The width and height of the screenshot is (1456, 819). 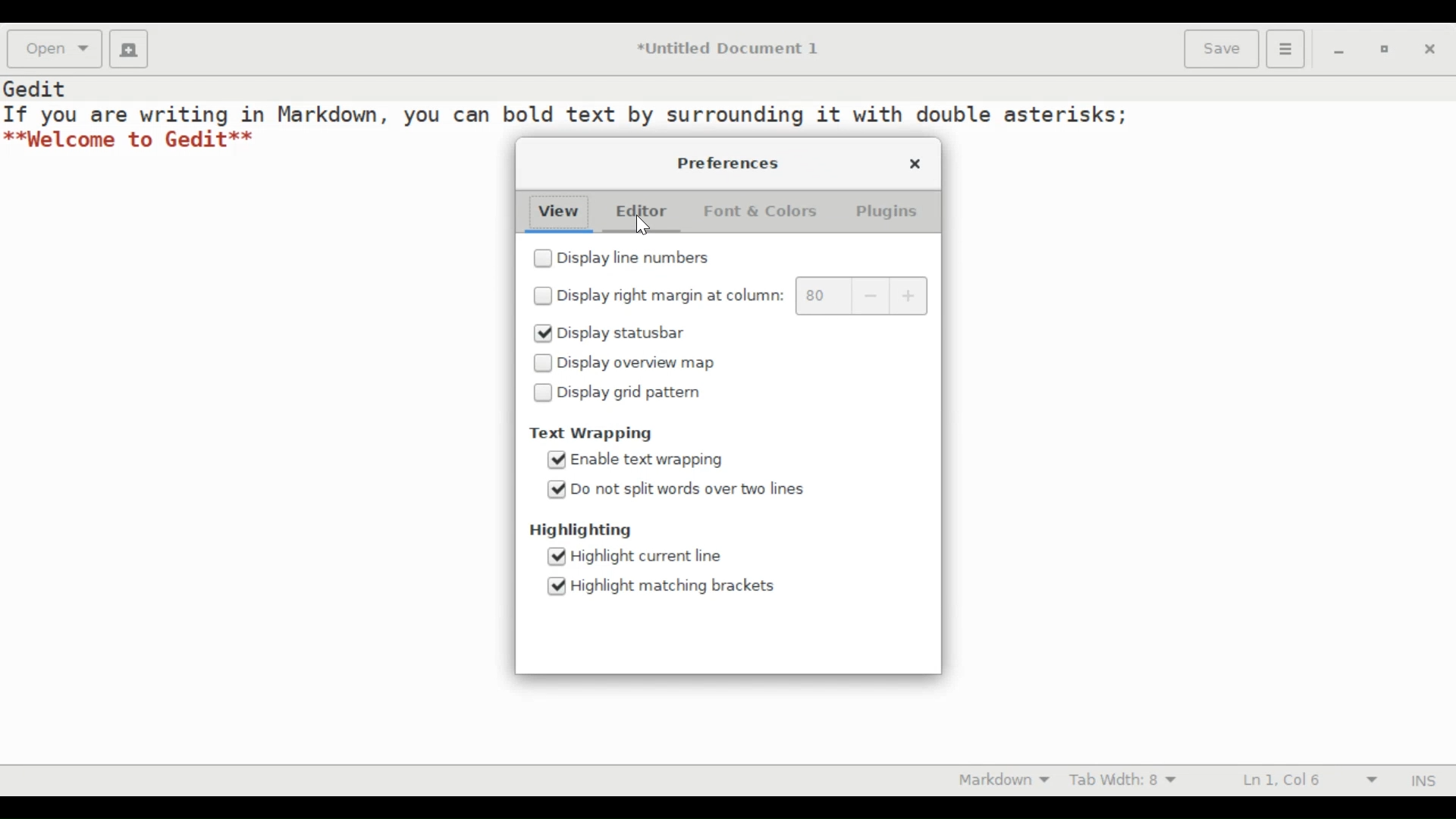 I want to click on Create a new Document, so click(x=129, y=49).